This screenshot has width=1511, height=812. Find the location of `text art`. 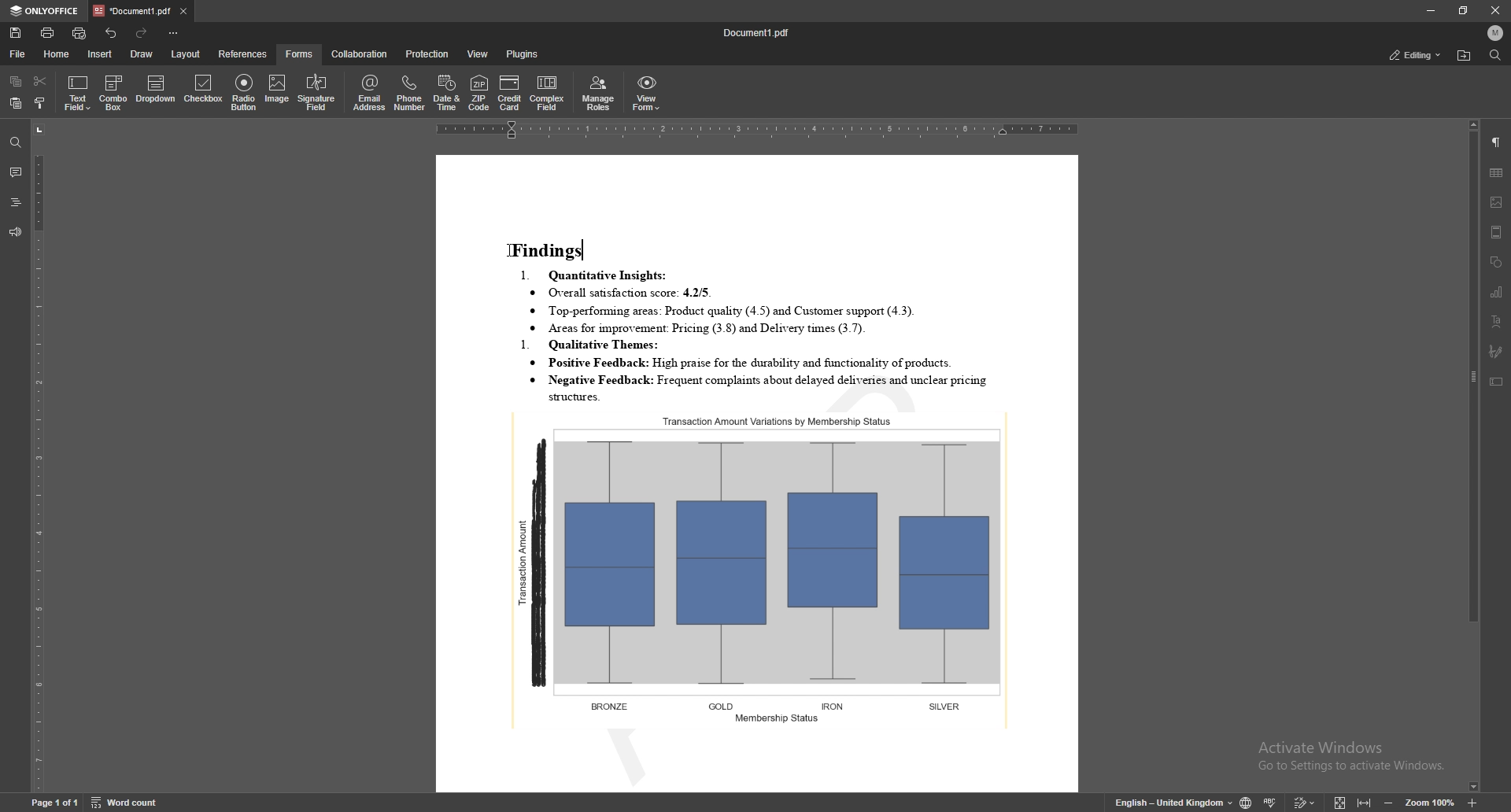

text art is located at coordinates (1496, 322).